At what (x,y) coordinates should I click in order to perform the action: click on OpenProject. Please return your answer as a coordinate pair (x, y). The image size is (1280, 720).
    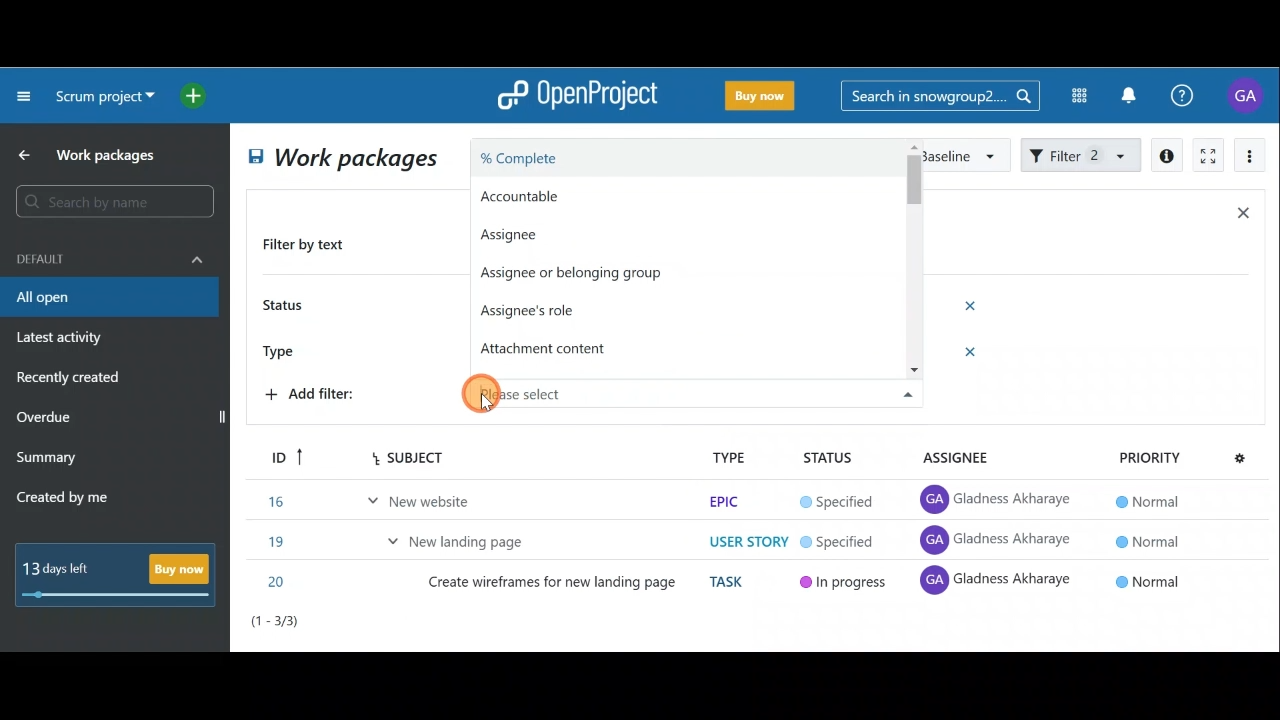
    Looking at the image, I should click on (577, 97).